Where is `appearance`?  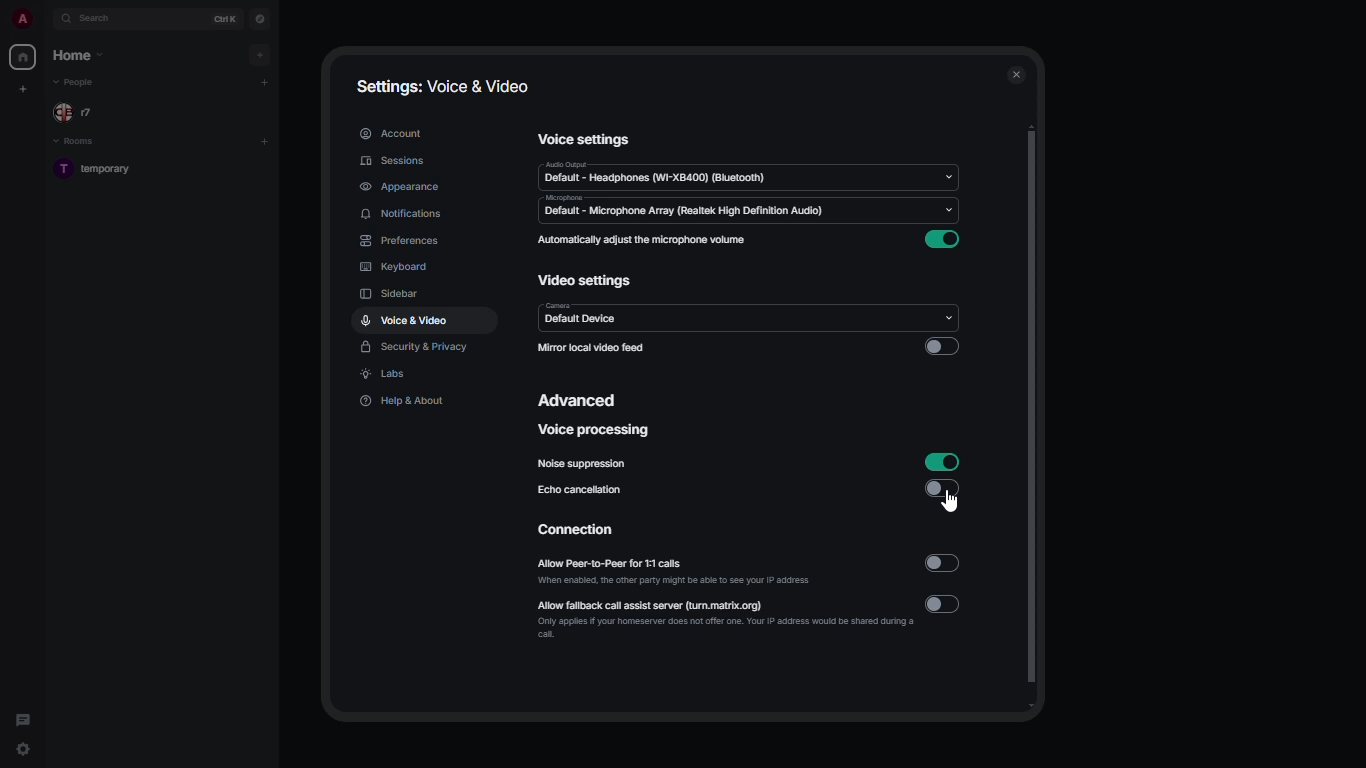
appearance is located at coordinates (400, 185).